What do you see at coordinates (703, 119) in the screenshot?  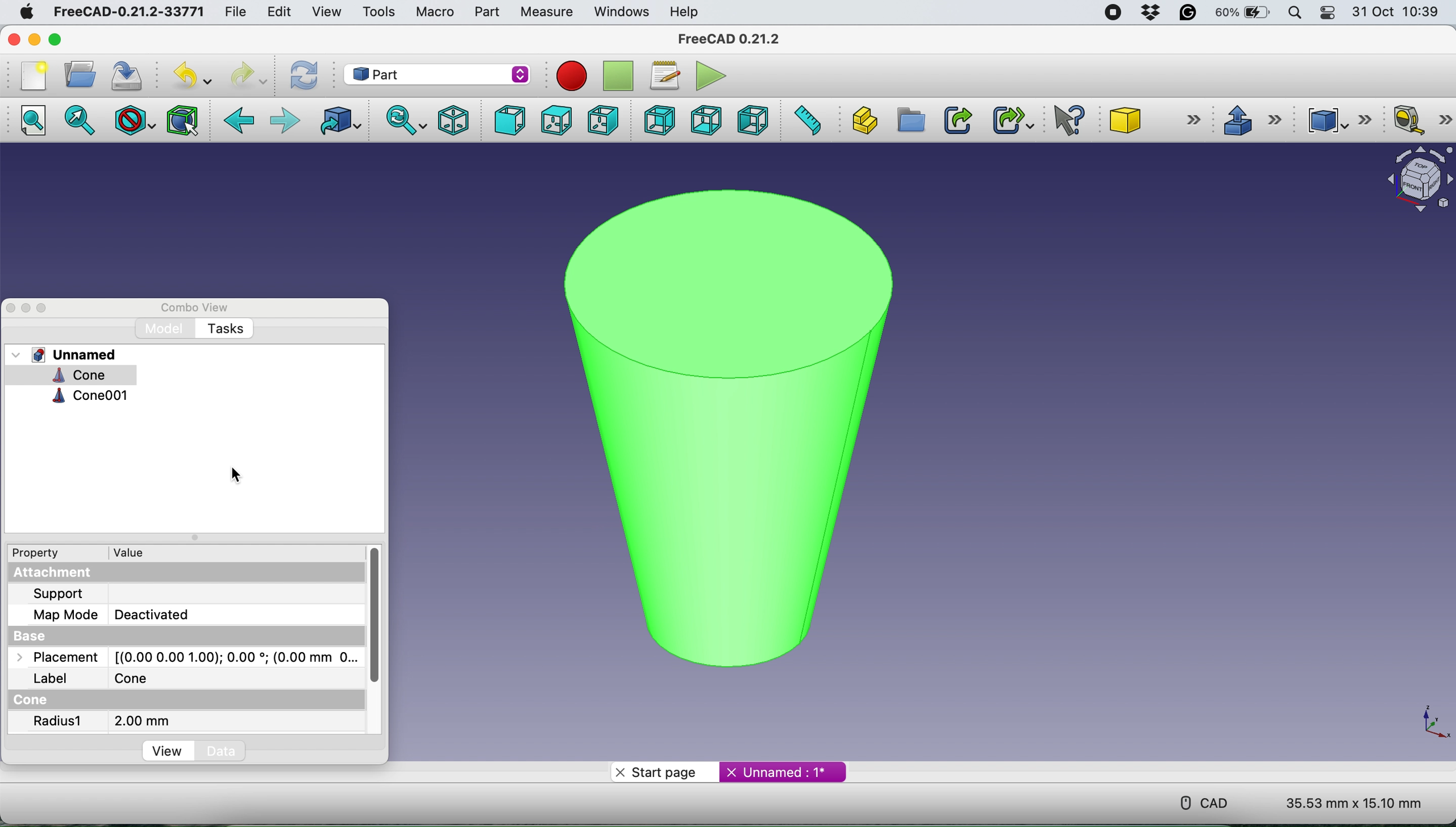 I see `bottom` at bounding box center [703, 119].